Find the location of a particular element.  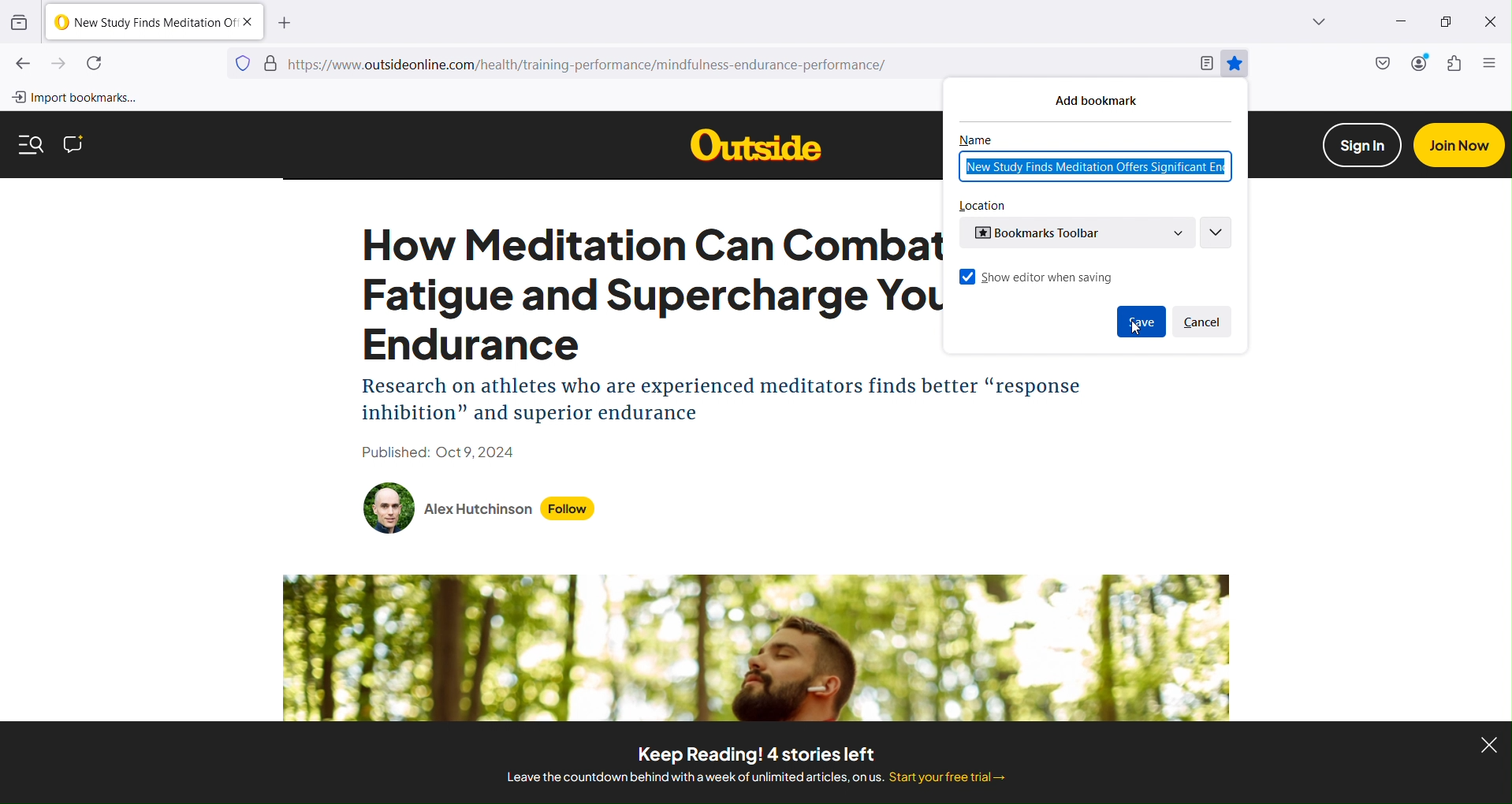

List all tabs  is located at coordinates (1298, 22).